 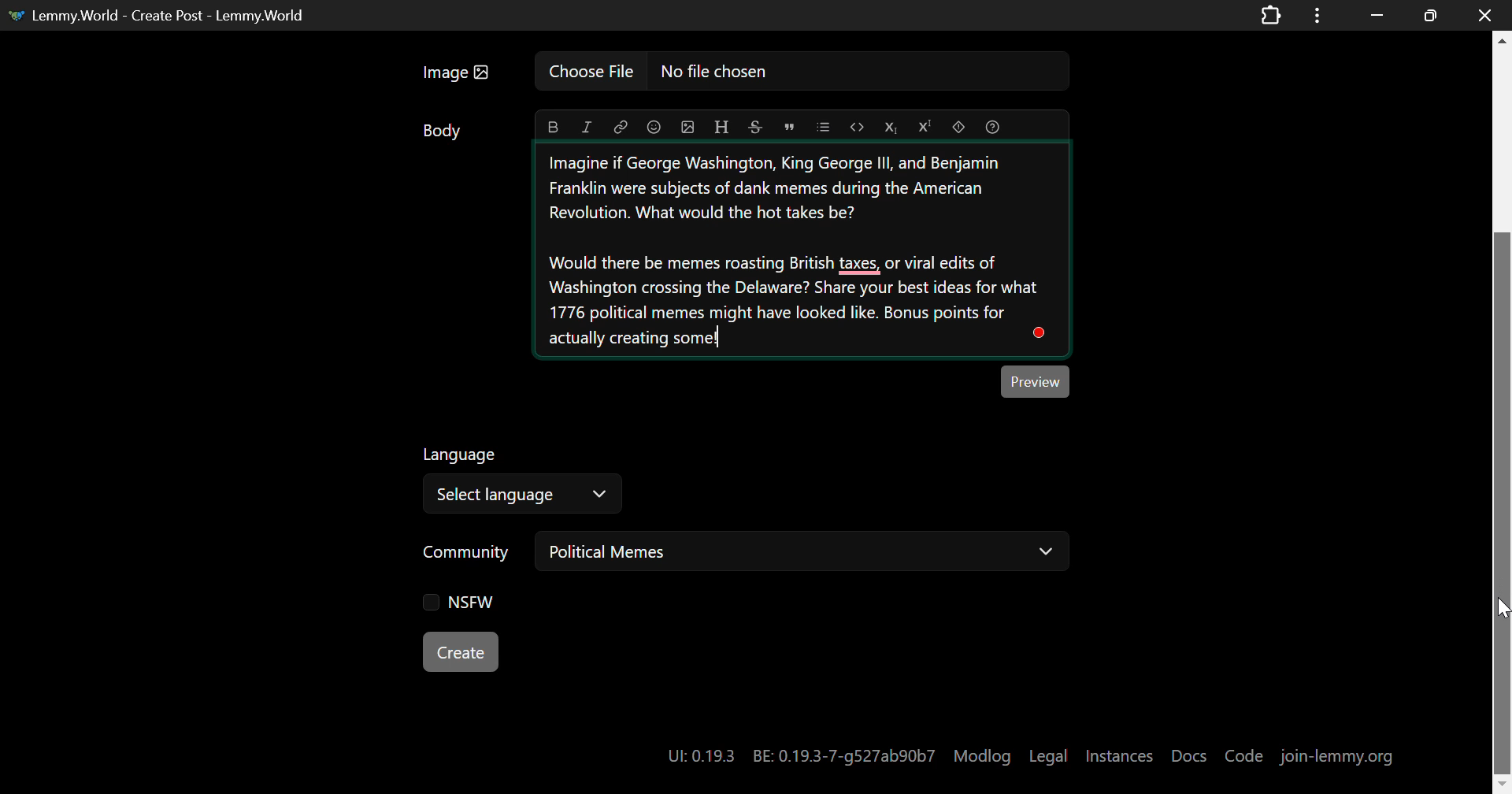 What do you see at coordinates (858, 126) in the screenshot?
I see `Code` at bounding box center [858, 126].